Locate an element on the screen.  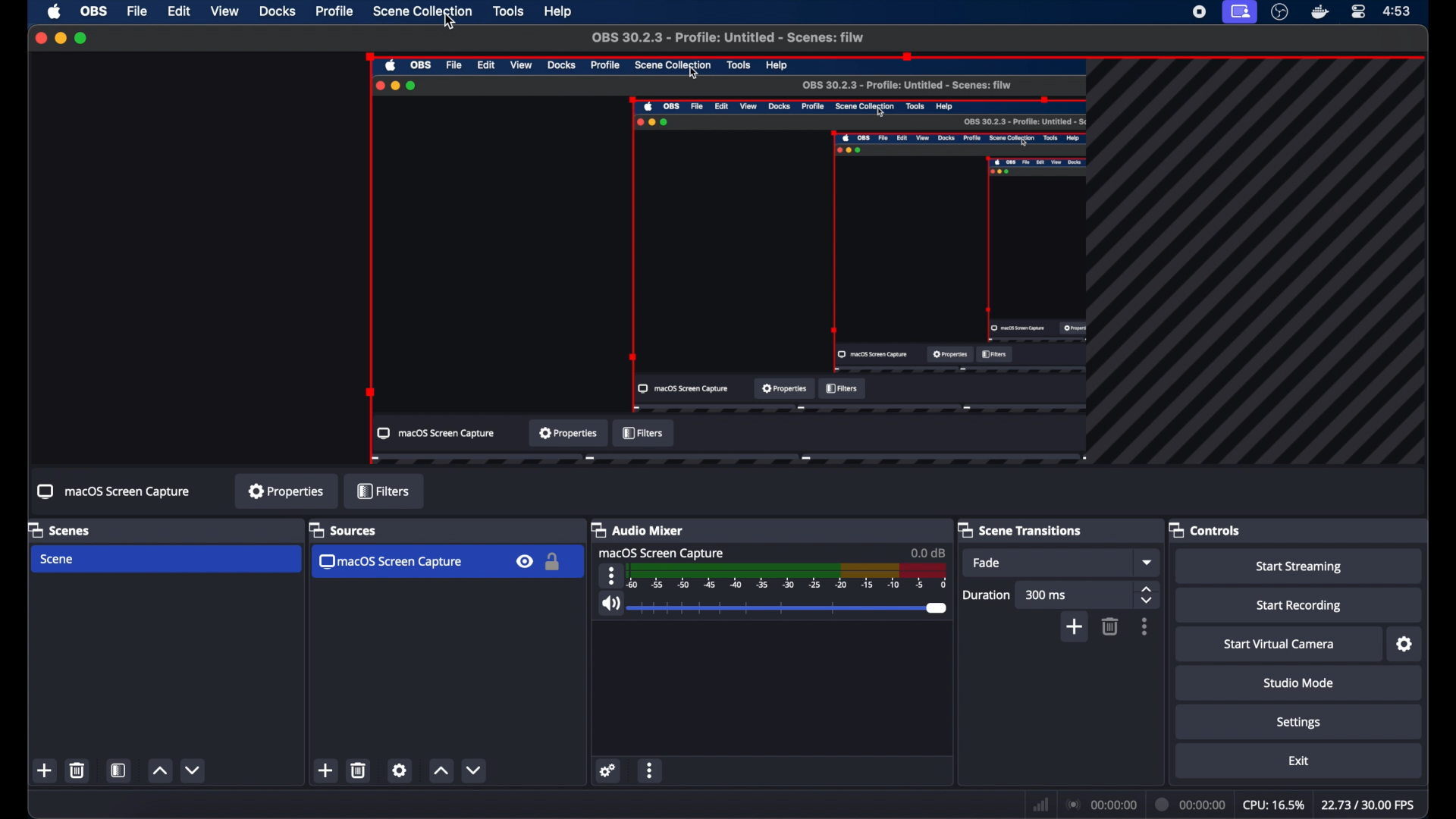
macos screen capture is located at coordinates (395, 563).